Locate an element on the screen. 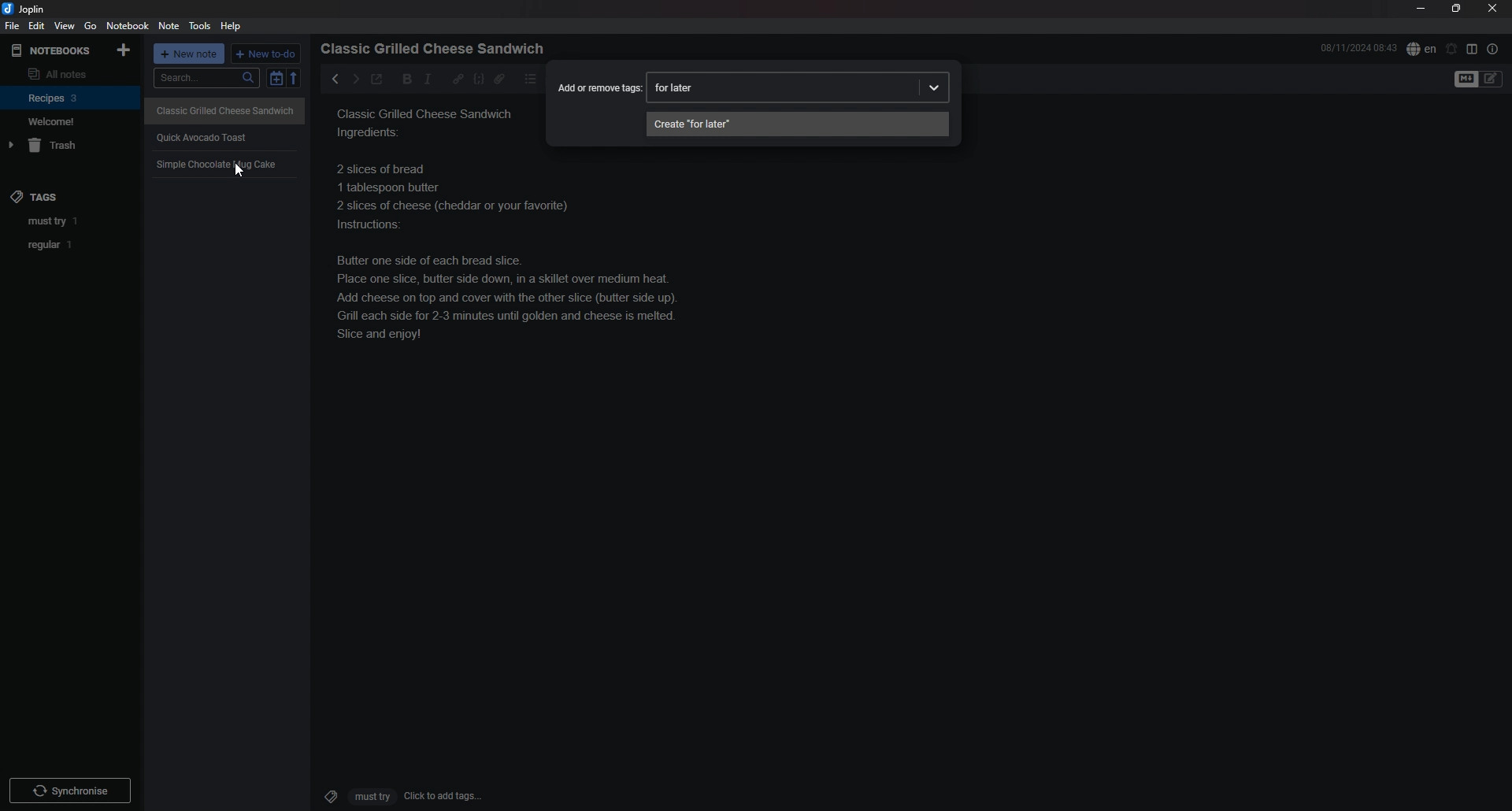 This screenshot has width=1512, height=811. spell check is located at coordinates (1421, 48).